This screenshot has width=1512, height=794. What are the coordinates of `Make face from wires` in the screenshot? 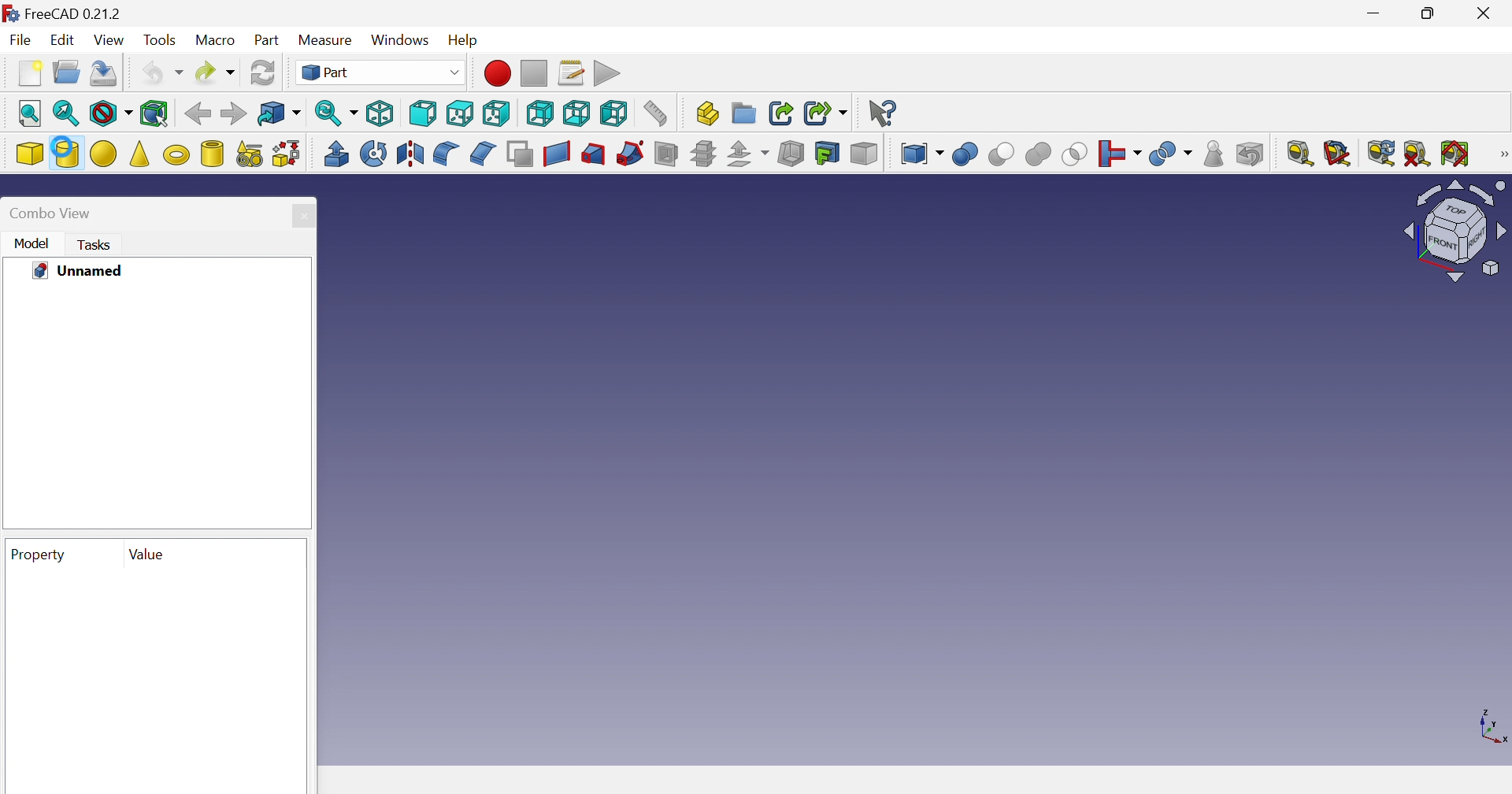 It's located at (520, 155).